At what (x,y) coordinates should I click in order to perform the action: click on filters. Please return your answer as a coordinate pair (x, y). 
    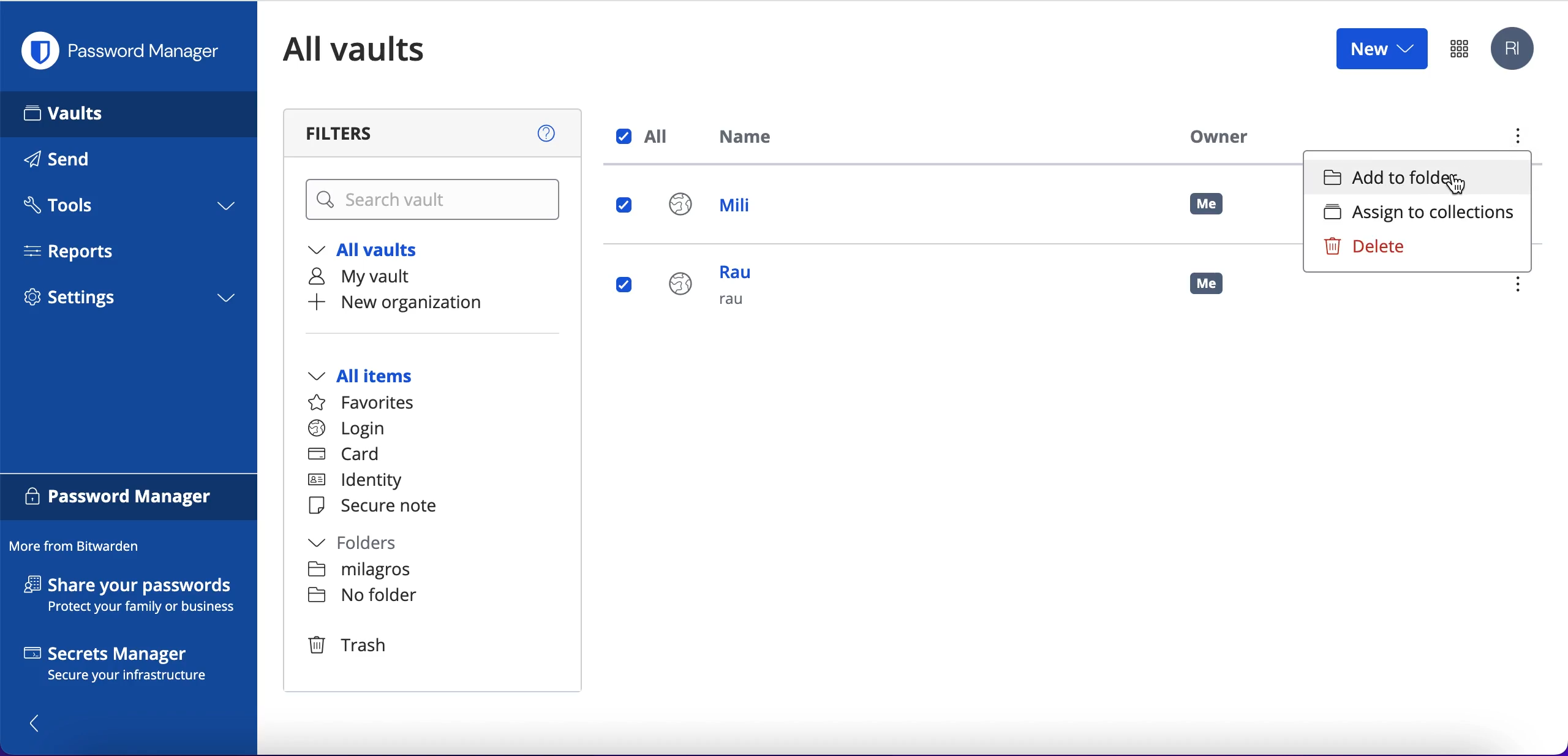
    Looking at the image, I should click on (435, 133).